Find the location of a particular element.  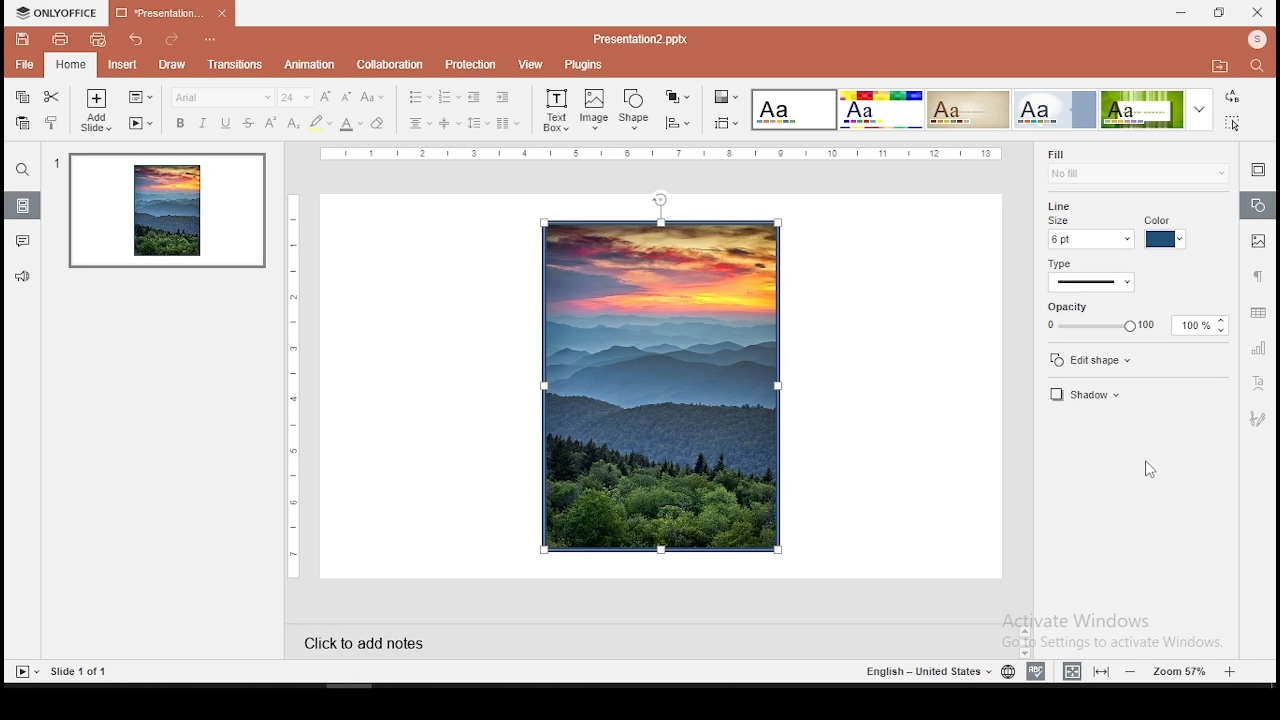

table settings is located at coordinates (1260, 314).